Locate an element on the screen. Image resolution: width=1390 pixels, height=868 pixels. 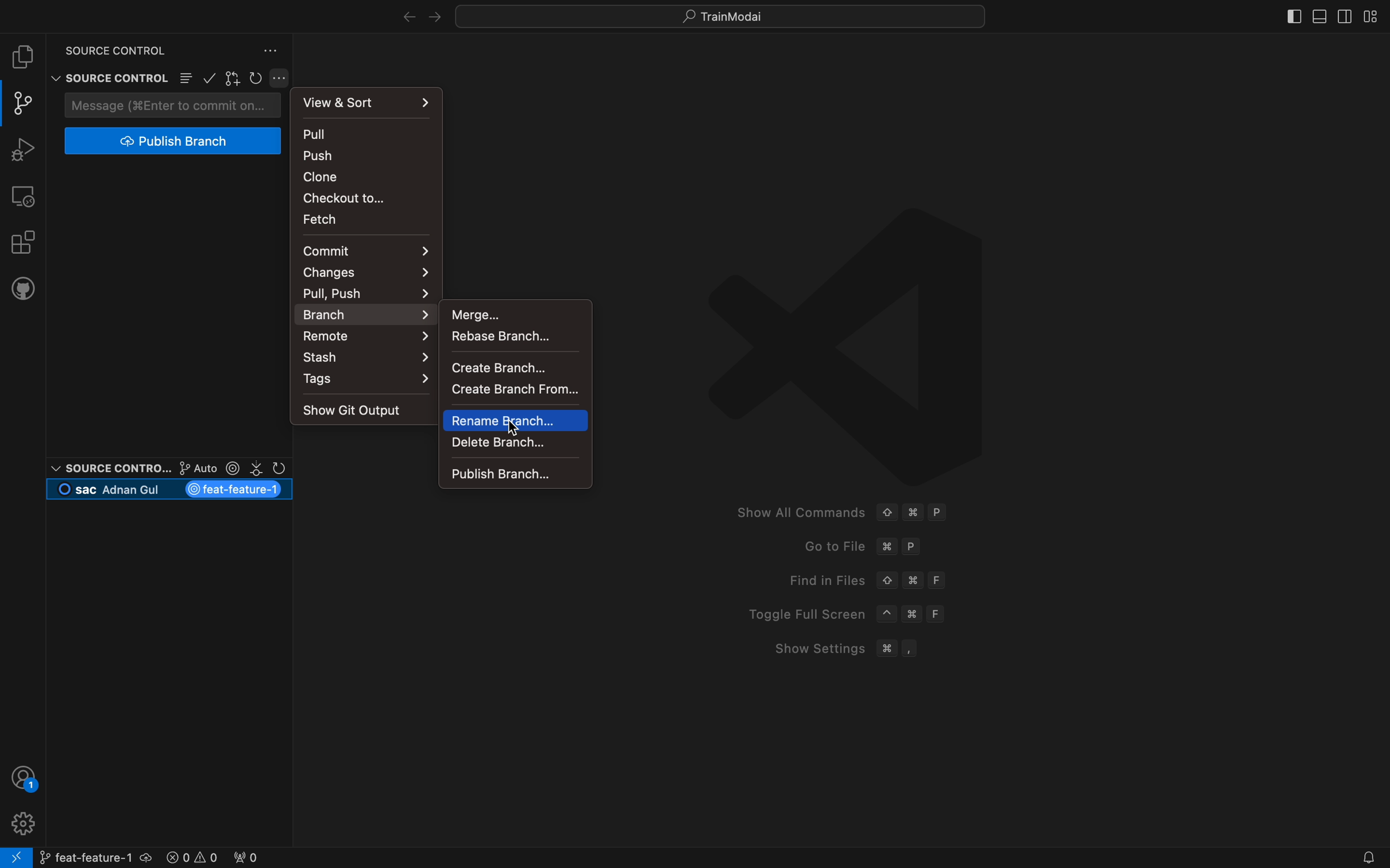
commit message is located at coordinates (175, 105).